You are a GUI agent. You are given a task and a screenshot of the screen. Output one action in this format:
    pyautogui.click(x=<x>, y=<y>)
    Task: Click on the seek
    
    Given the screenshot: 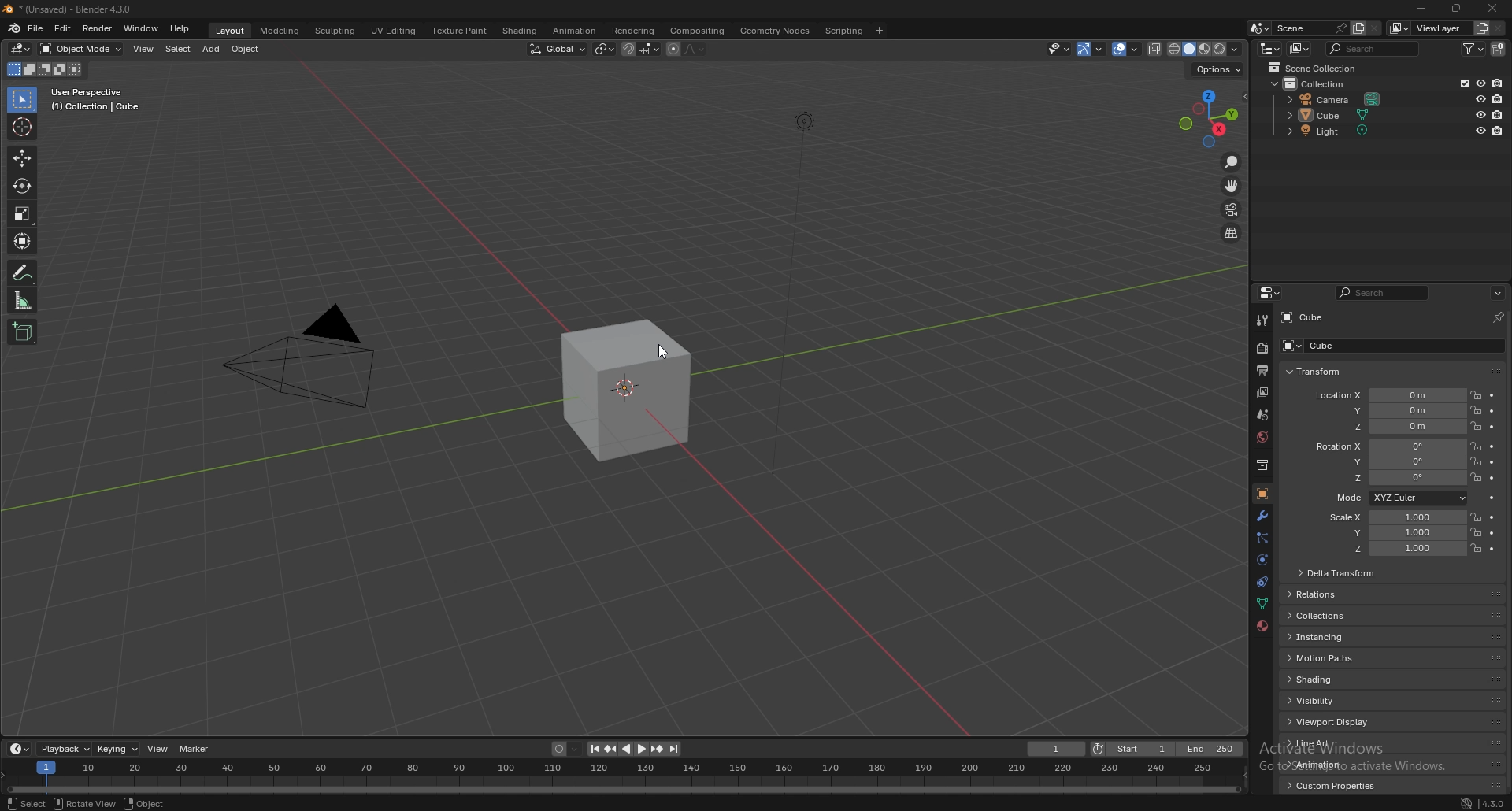 What is the action you would take?
    pyautogui.click(x=621, y=777)
    